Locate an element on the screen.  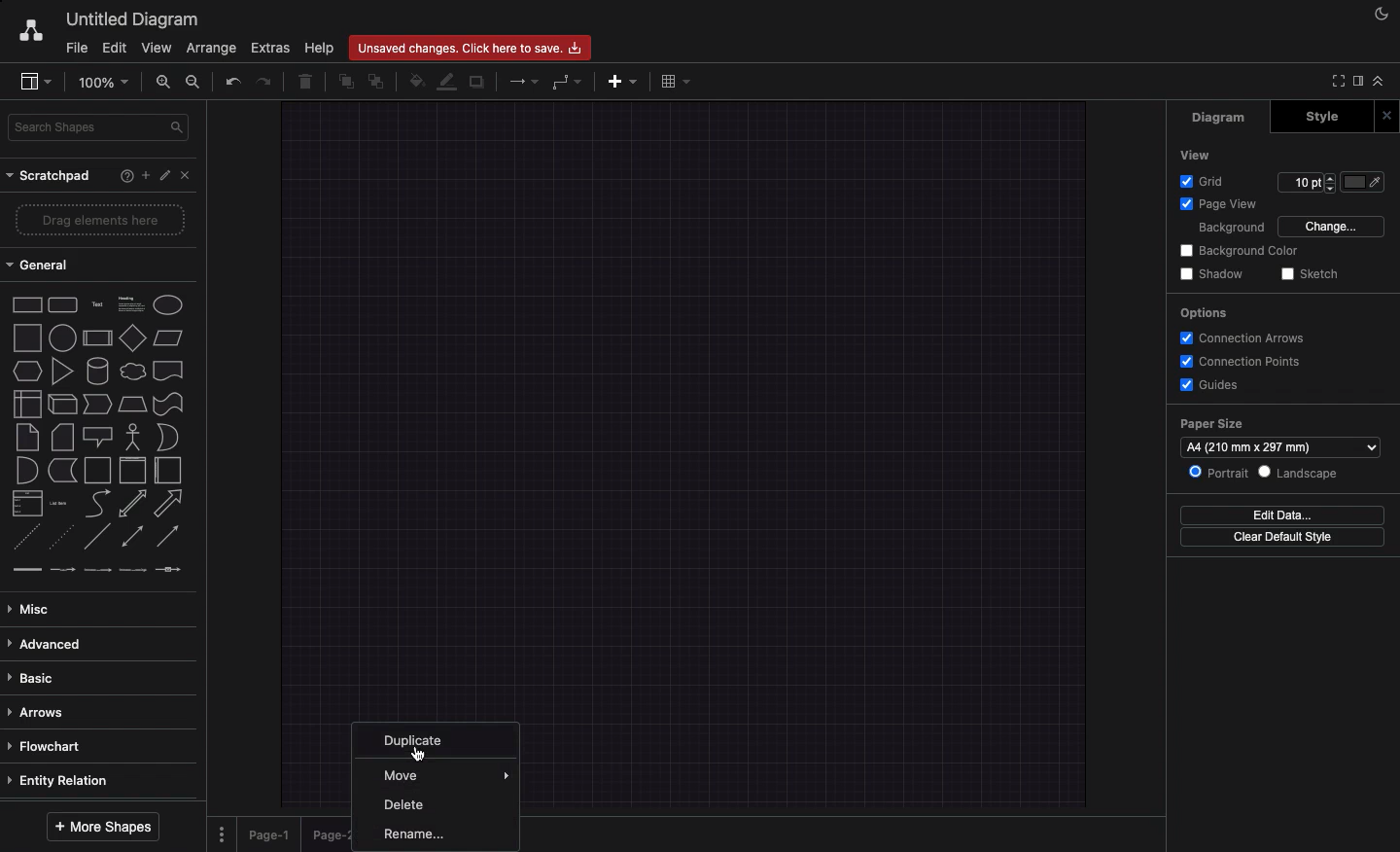
Trasha is located at coordinates (307, 81).